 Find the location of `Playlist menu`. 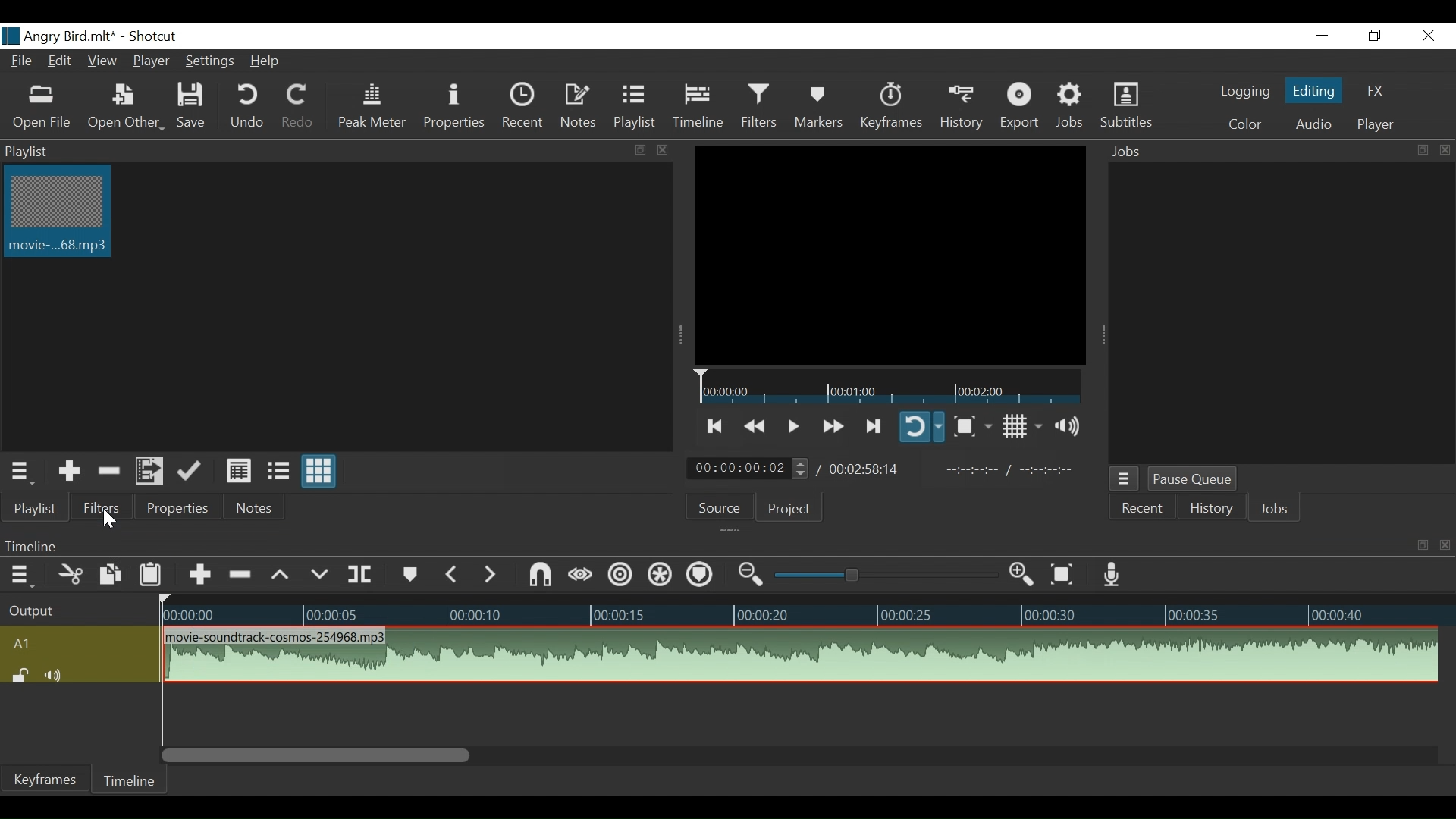

Playlist menu is located at coordinates (35, 507).